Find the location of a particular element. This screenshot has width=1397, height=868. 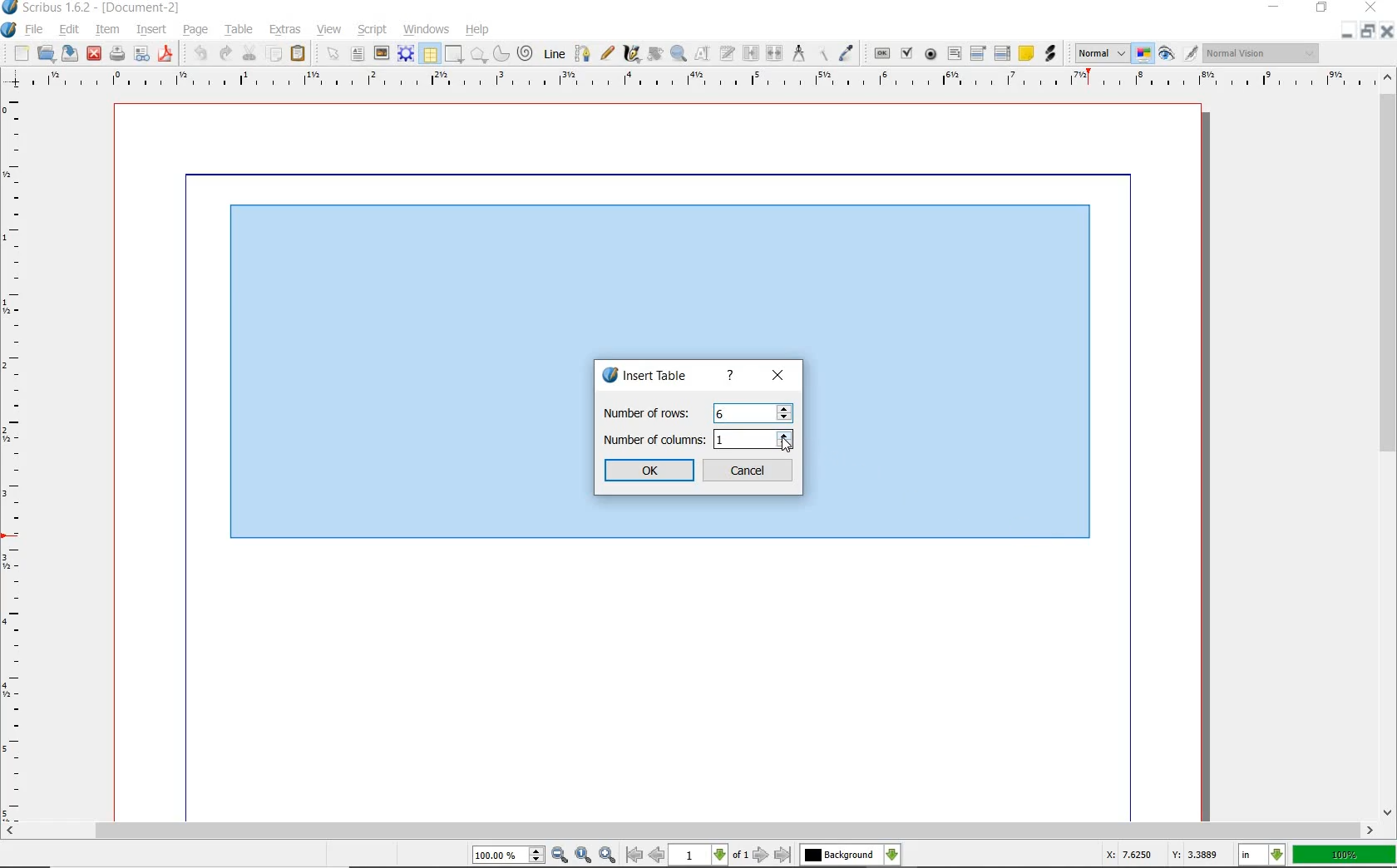

edit frame with story editor is located at coordinates (725, 55).